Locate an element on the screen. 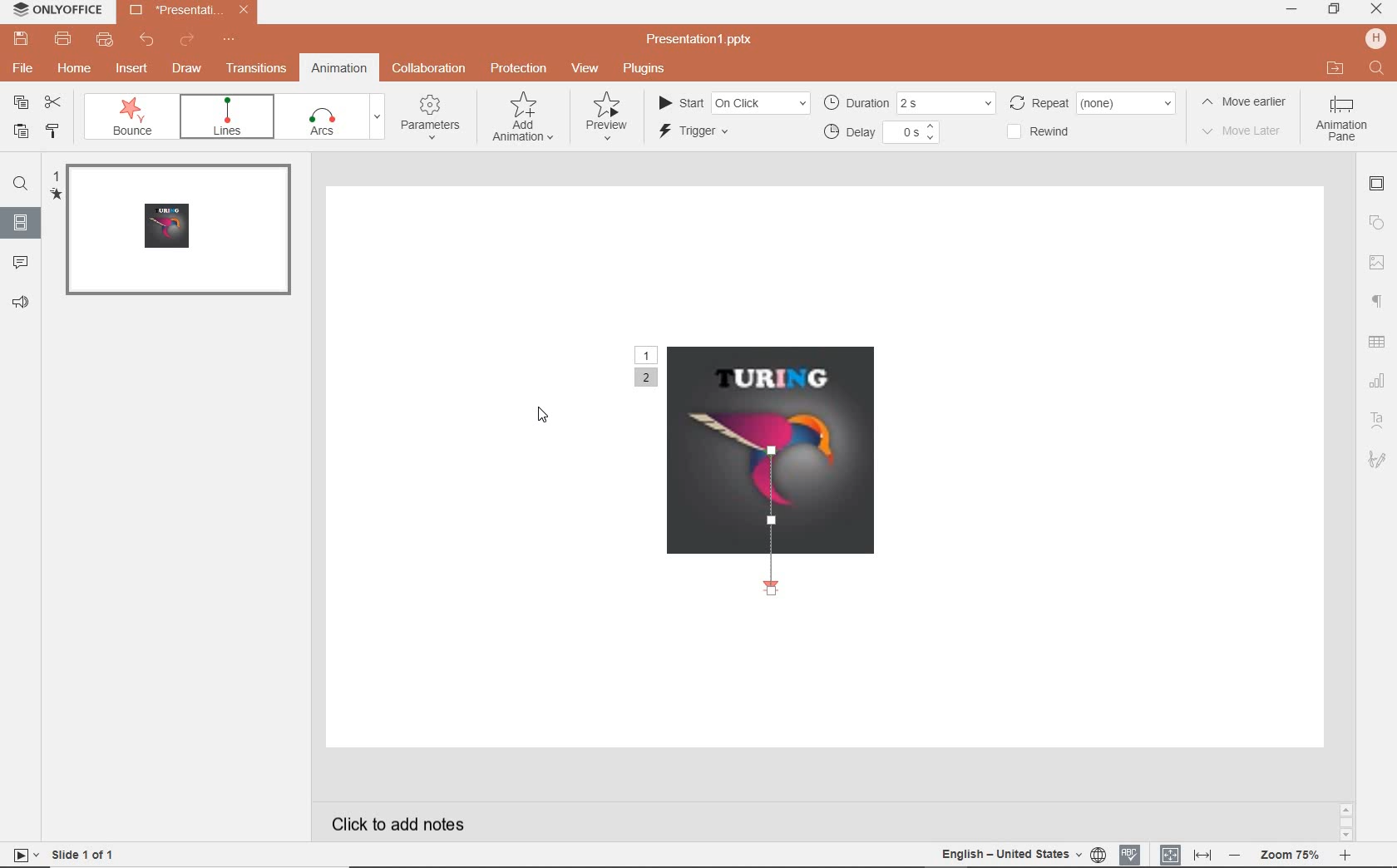 This screenshot has width=1397, height=868. slide 1 is located at coordinates (176, 232).